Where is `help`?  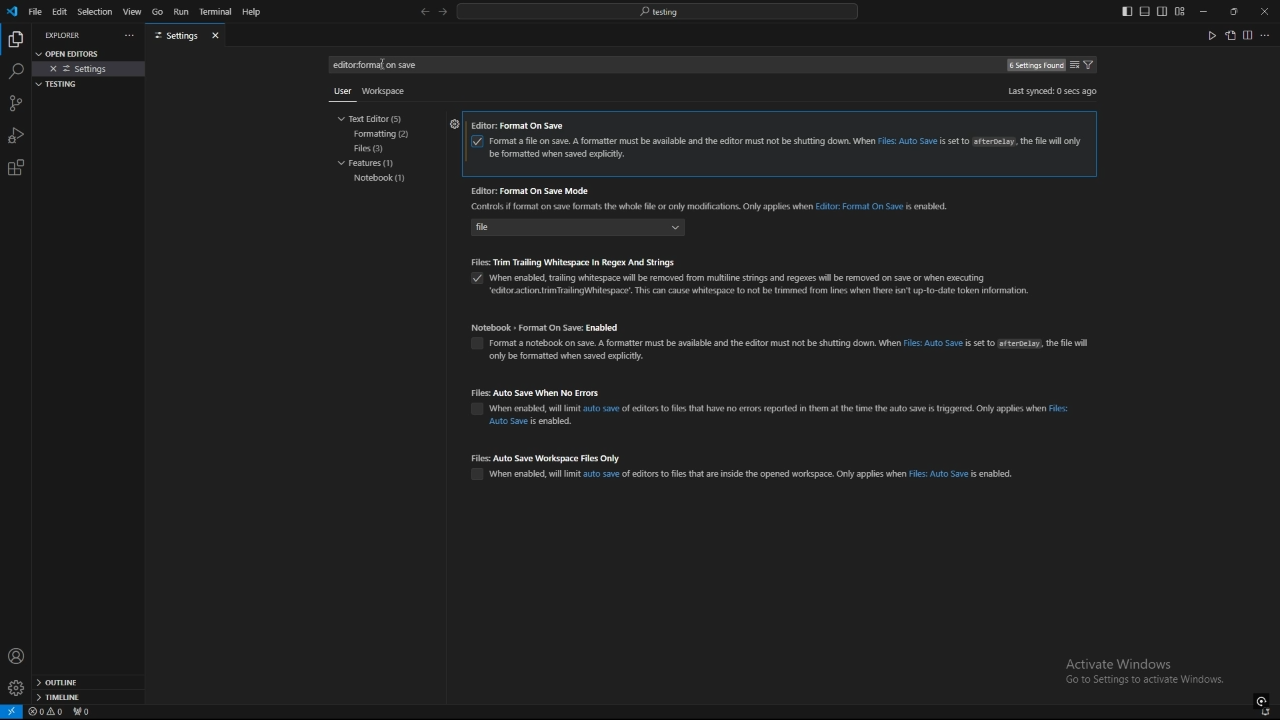
help is located at coordinates (257, 12).